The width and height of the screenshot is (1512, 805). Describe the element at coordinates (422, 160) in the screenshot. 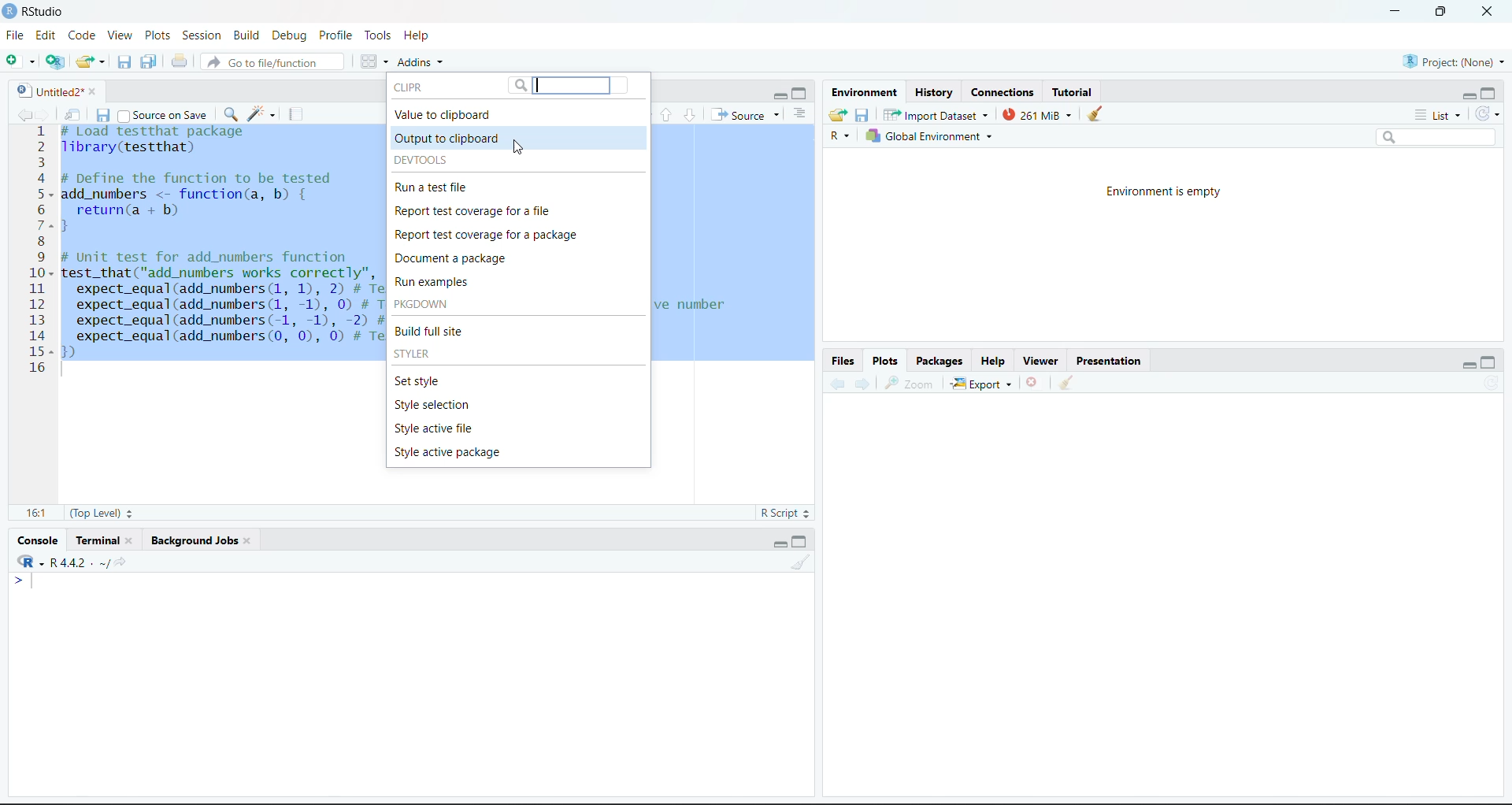

I see `DEVTOOLS` at that location.